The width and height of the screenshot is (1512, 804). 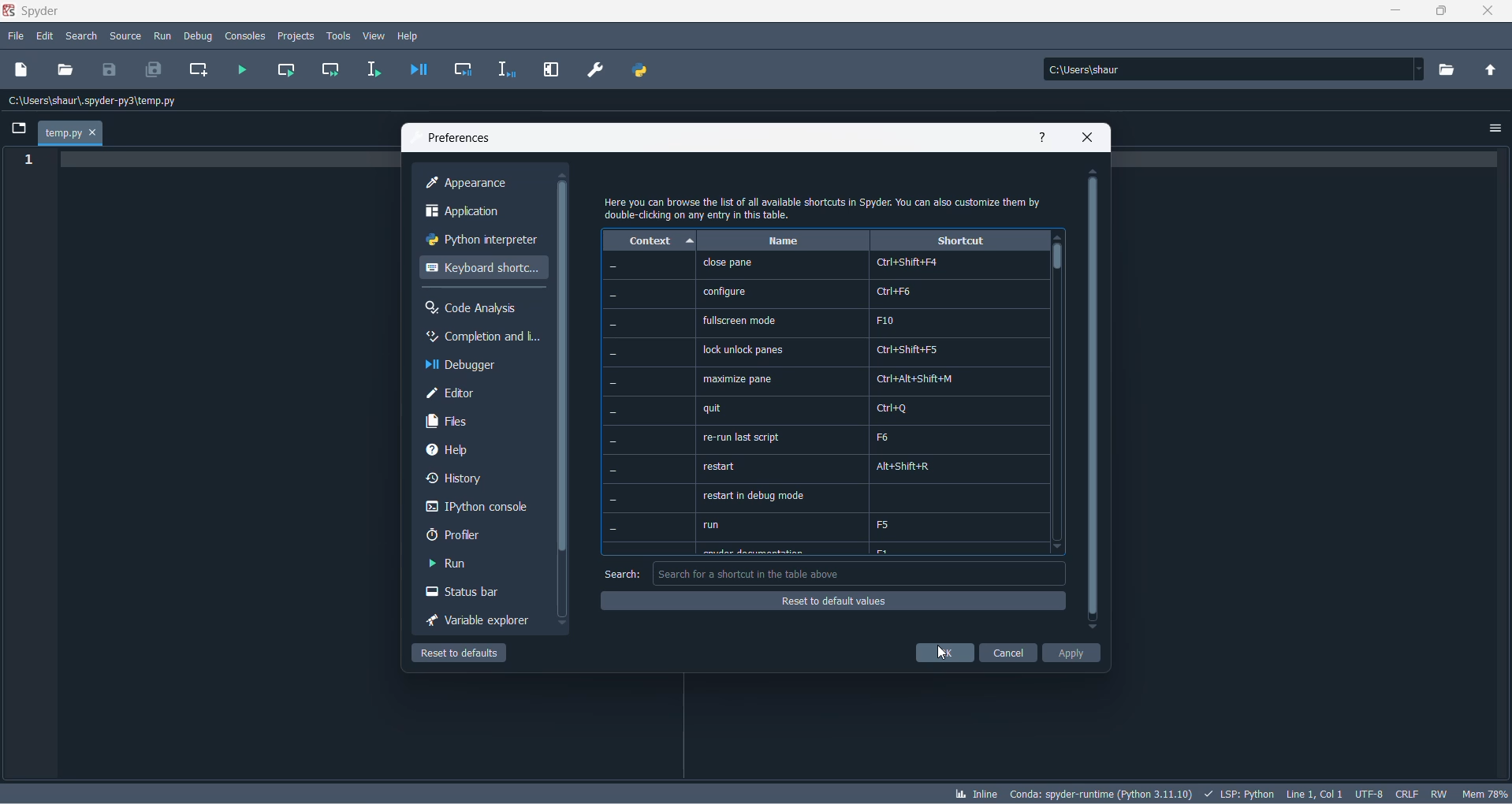 I want to click on appearance, so click(x=486, y=184).